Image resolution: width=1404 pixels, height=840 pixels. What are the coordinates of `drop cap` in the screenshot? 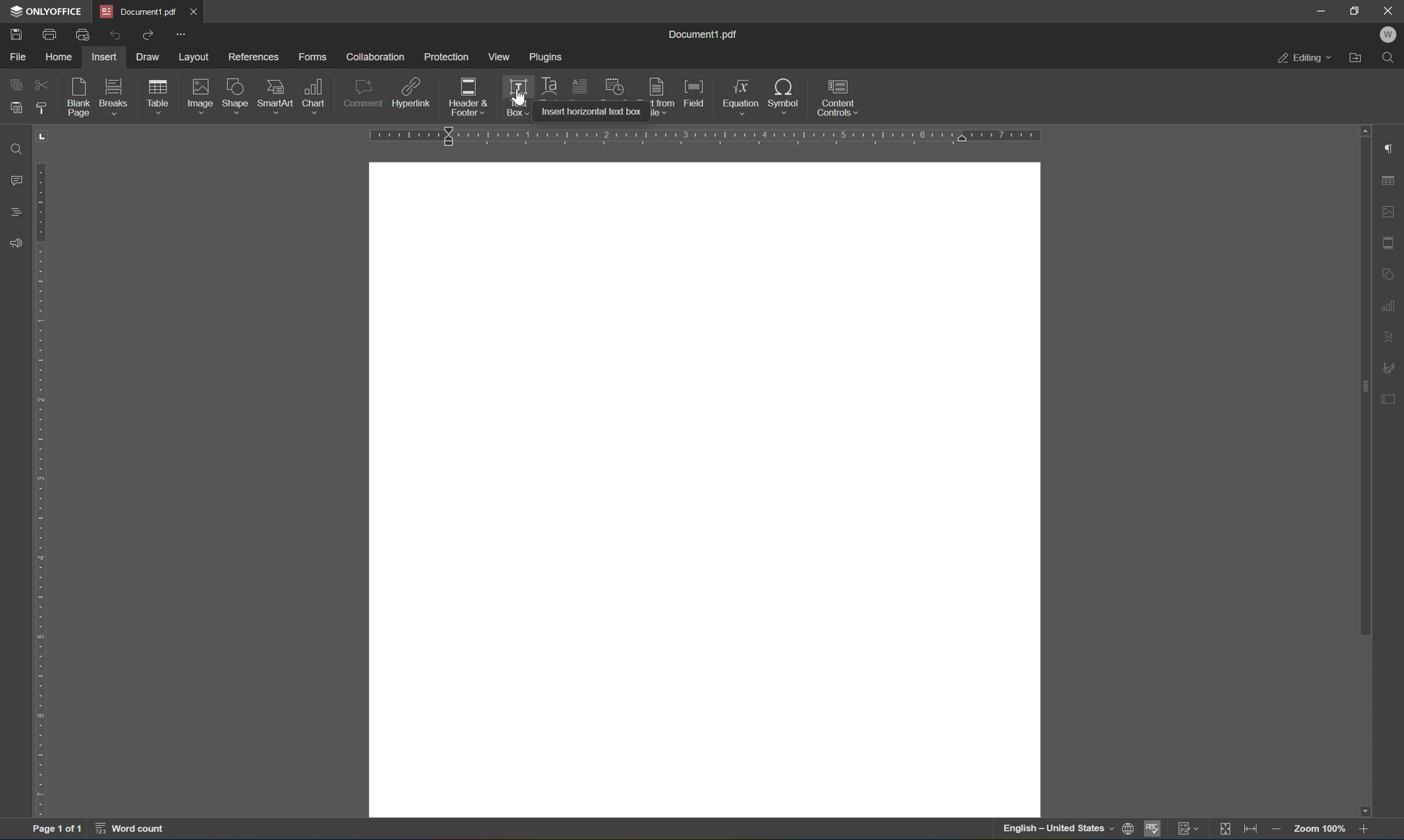 It's located at (581, 87).